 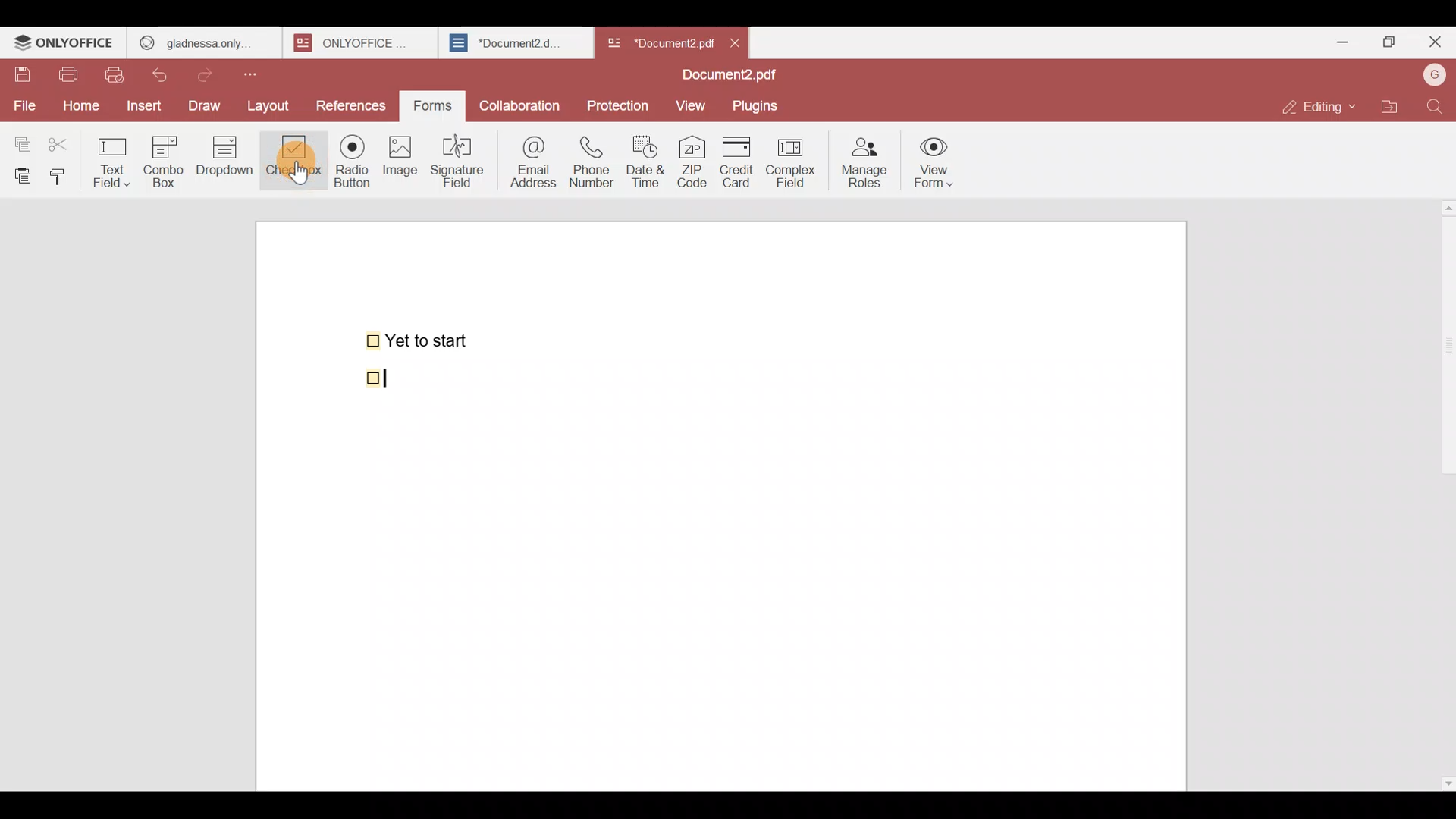 I want to click on Combo box, so click(x=163, y=159).